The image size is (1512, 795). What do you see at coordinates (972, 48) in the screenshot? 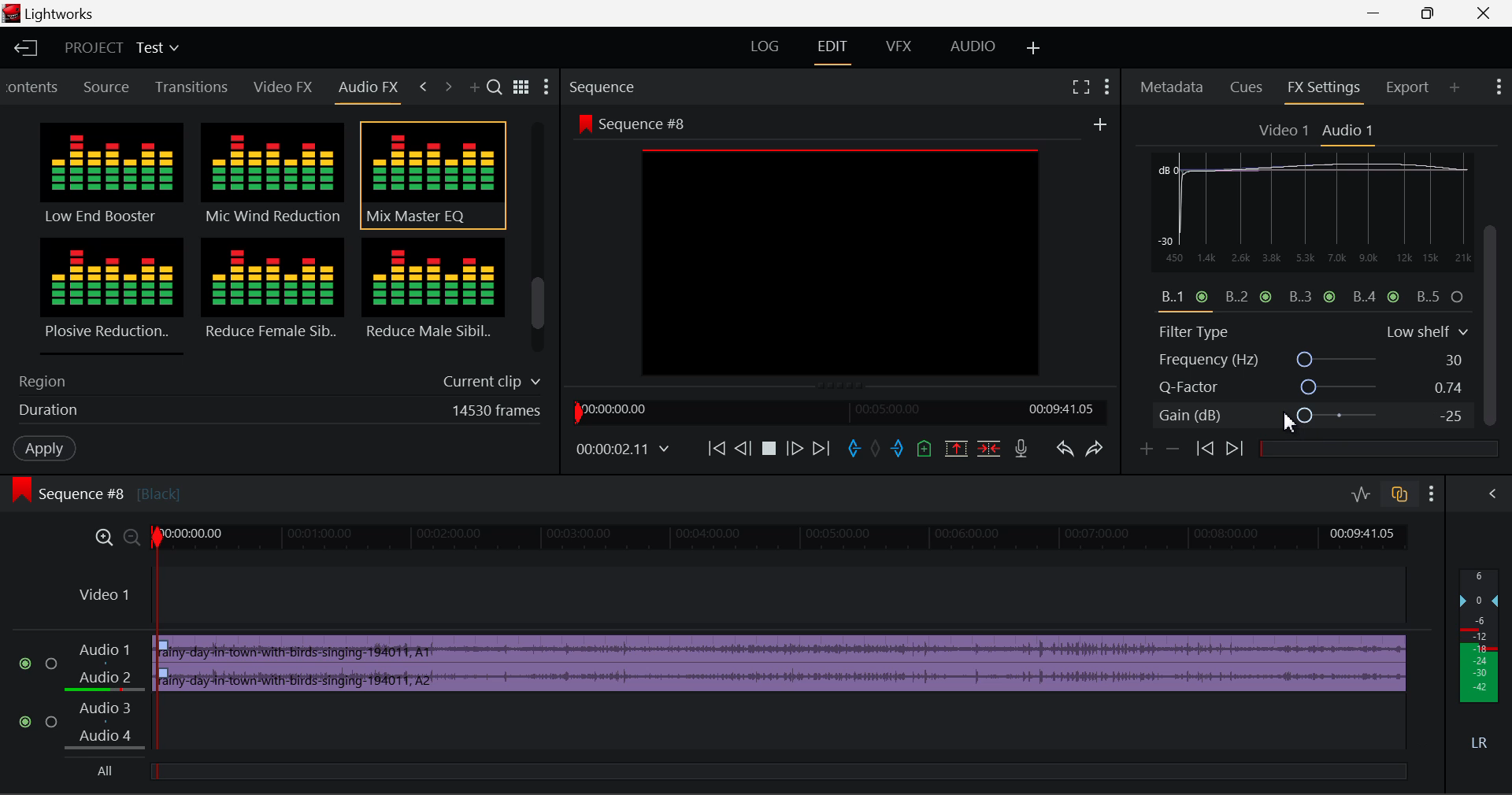
I see `AUDIO Layout` at bounding box center [972, 48].